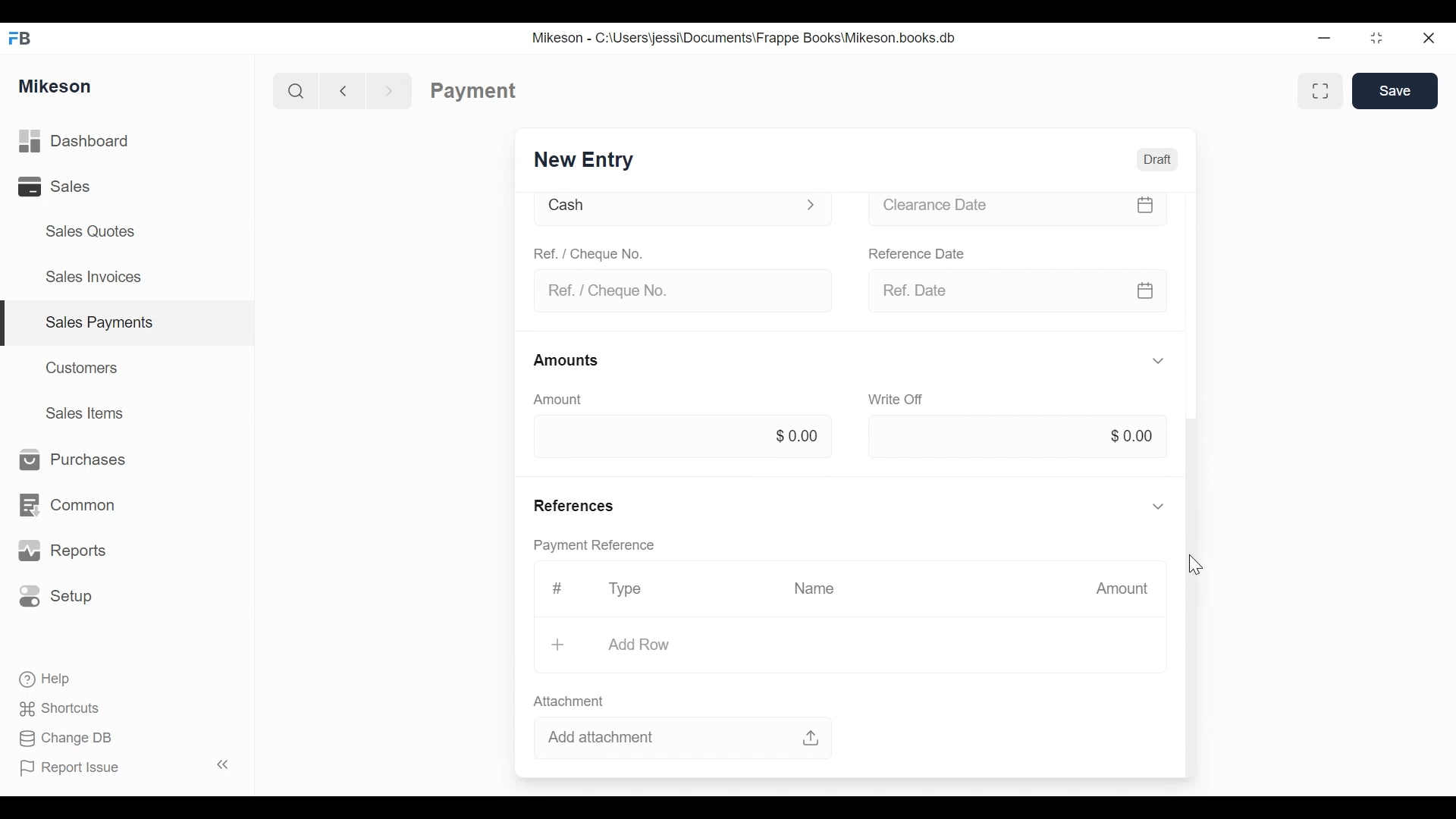 This screenshot has height=819, width=1456. Describe the element at coordinates (1159, 362) in the screenshot. I see `more` at that location.